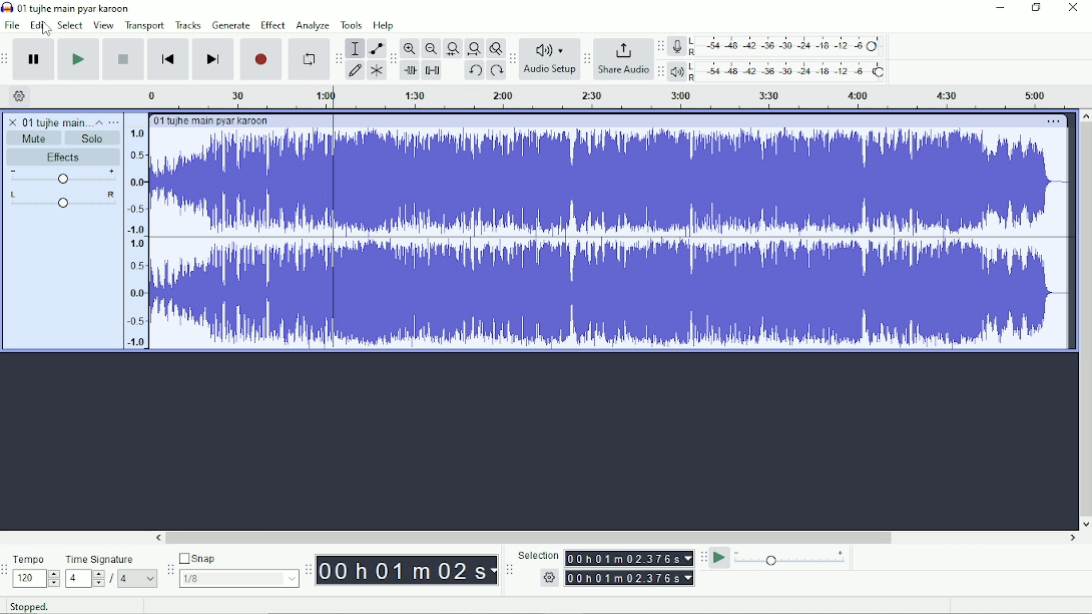 Image resolution: width=1092 pixels, height=614 pixels. I want to click on Audacity play-at-speed, so click(703, 558).